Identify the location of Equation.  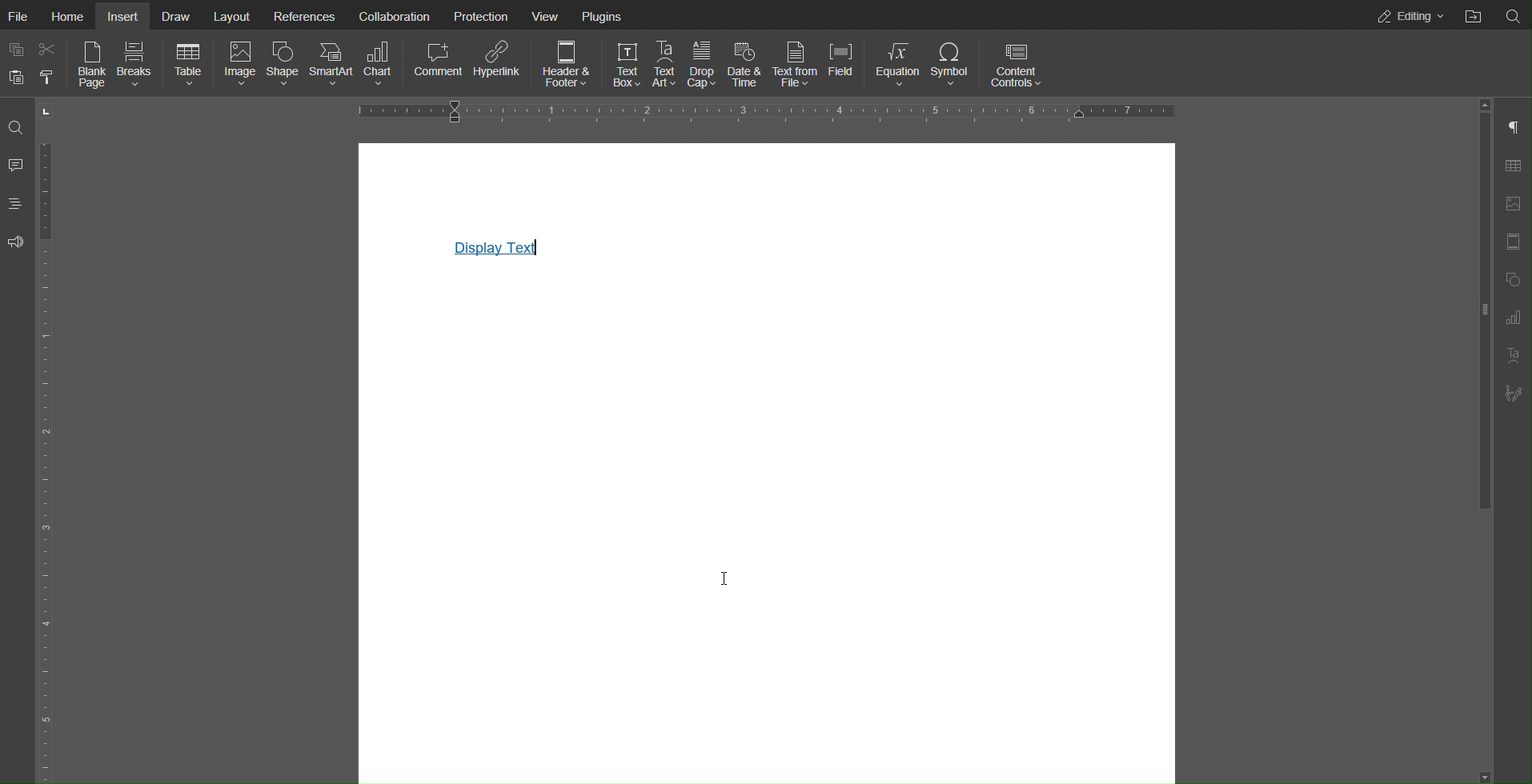
(897, 65).